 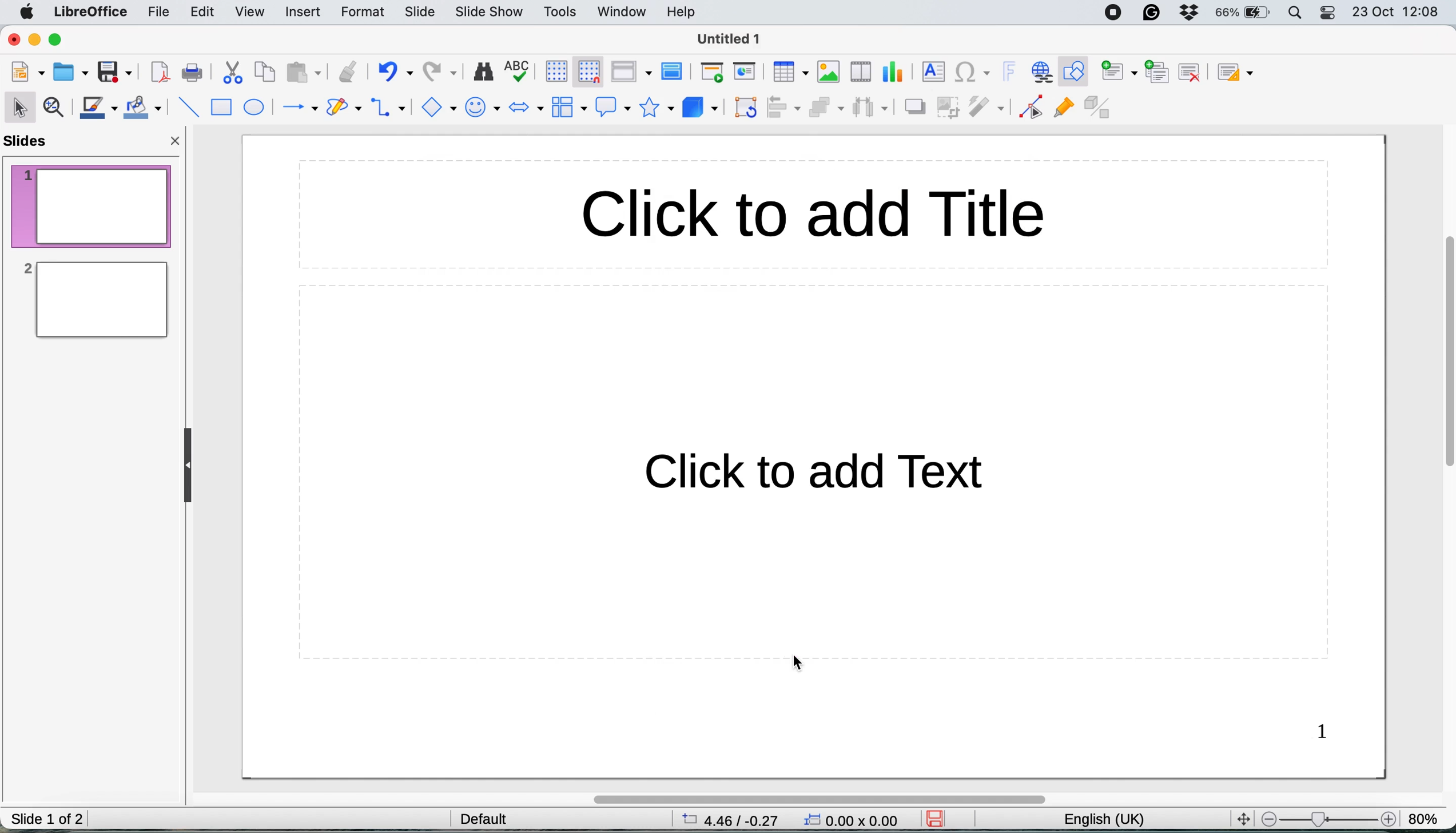 I want to click on copy, so click(x=266, y=73).